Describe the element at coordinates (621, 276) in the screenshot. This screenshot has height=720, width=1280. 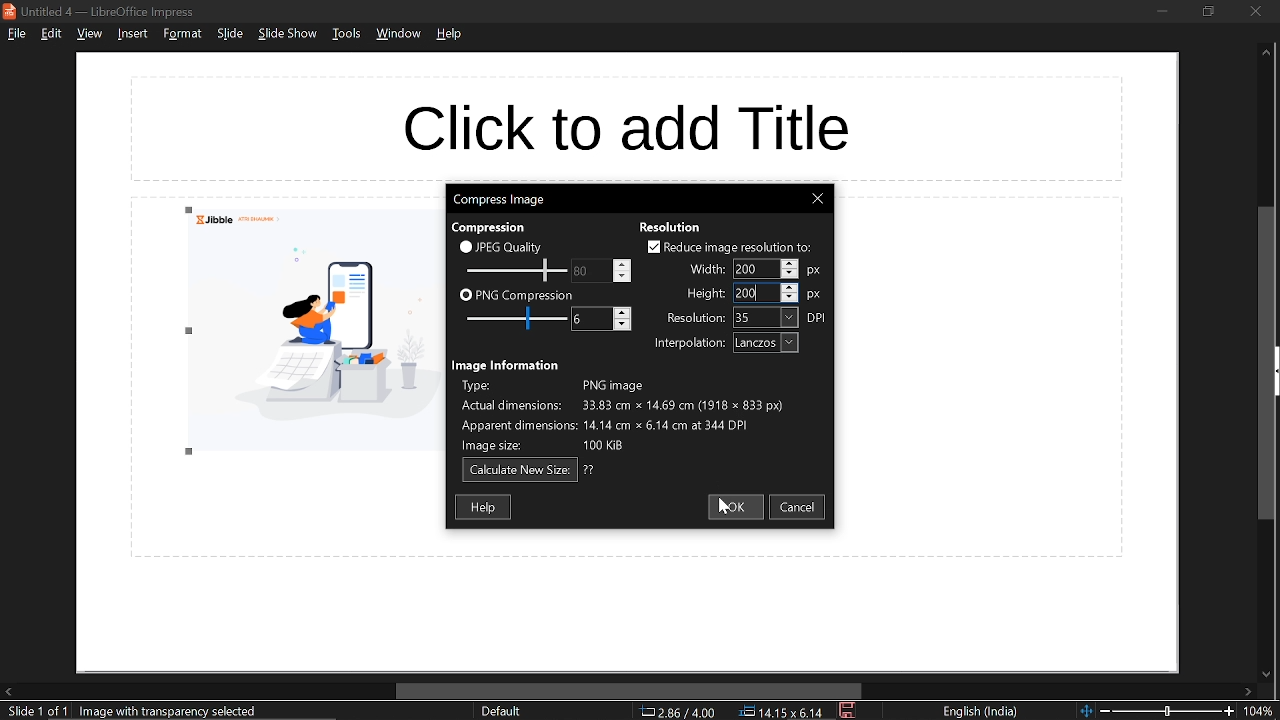
I see `decrease jpeg quality` at that location.